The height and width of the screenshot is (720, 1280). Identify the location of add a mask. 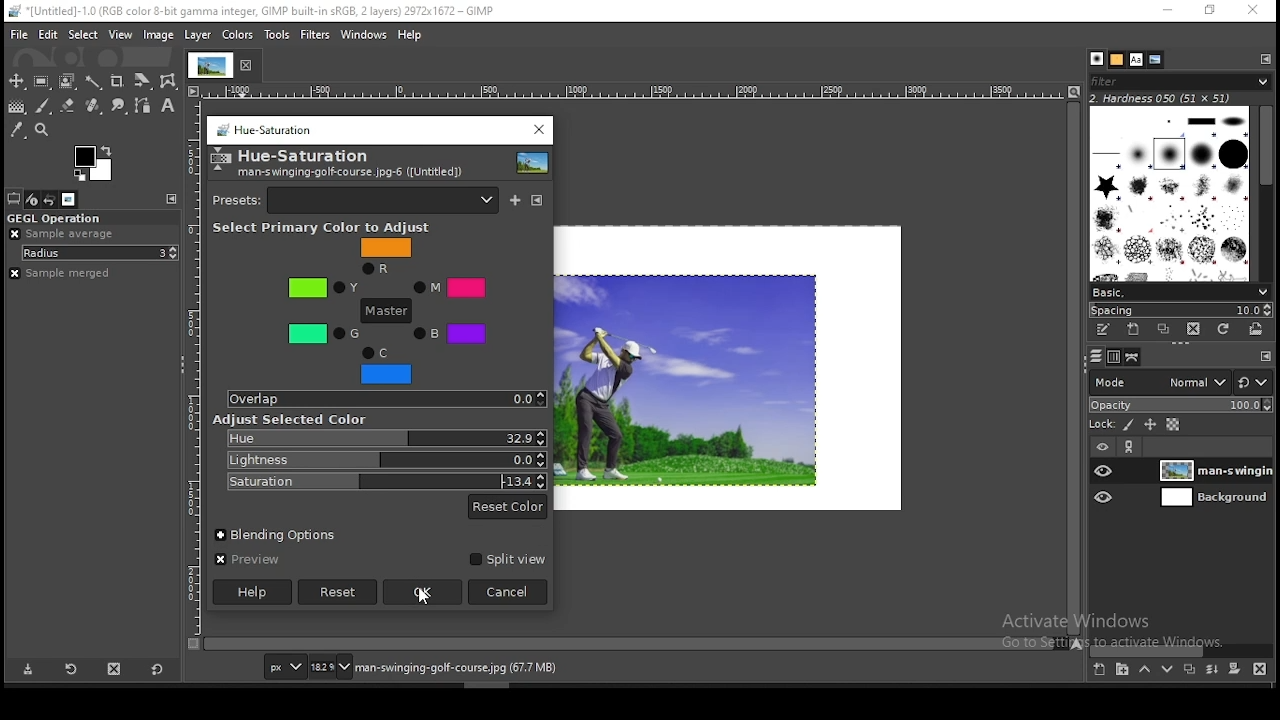
(1236, 669).